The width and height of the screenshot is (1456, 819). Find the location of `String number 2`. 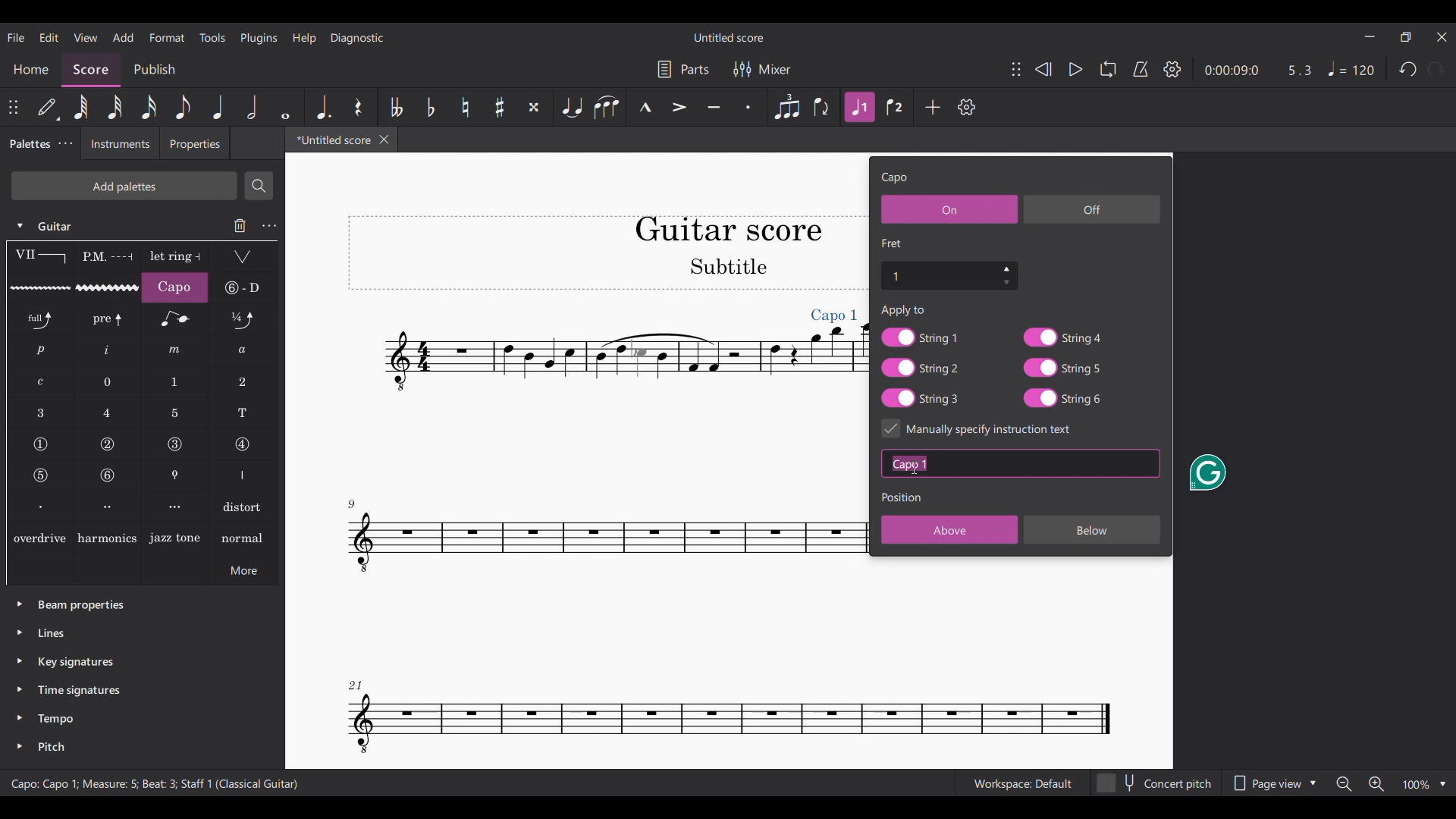

String number 2 is located at coordinates (108, 444).